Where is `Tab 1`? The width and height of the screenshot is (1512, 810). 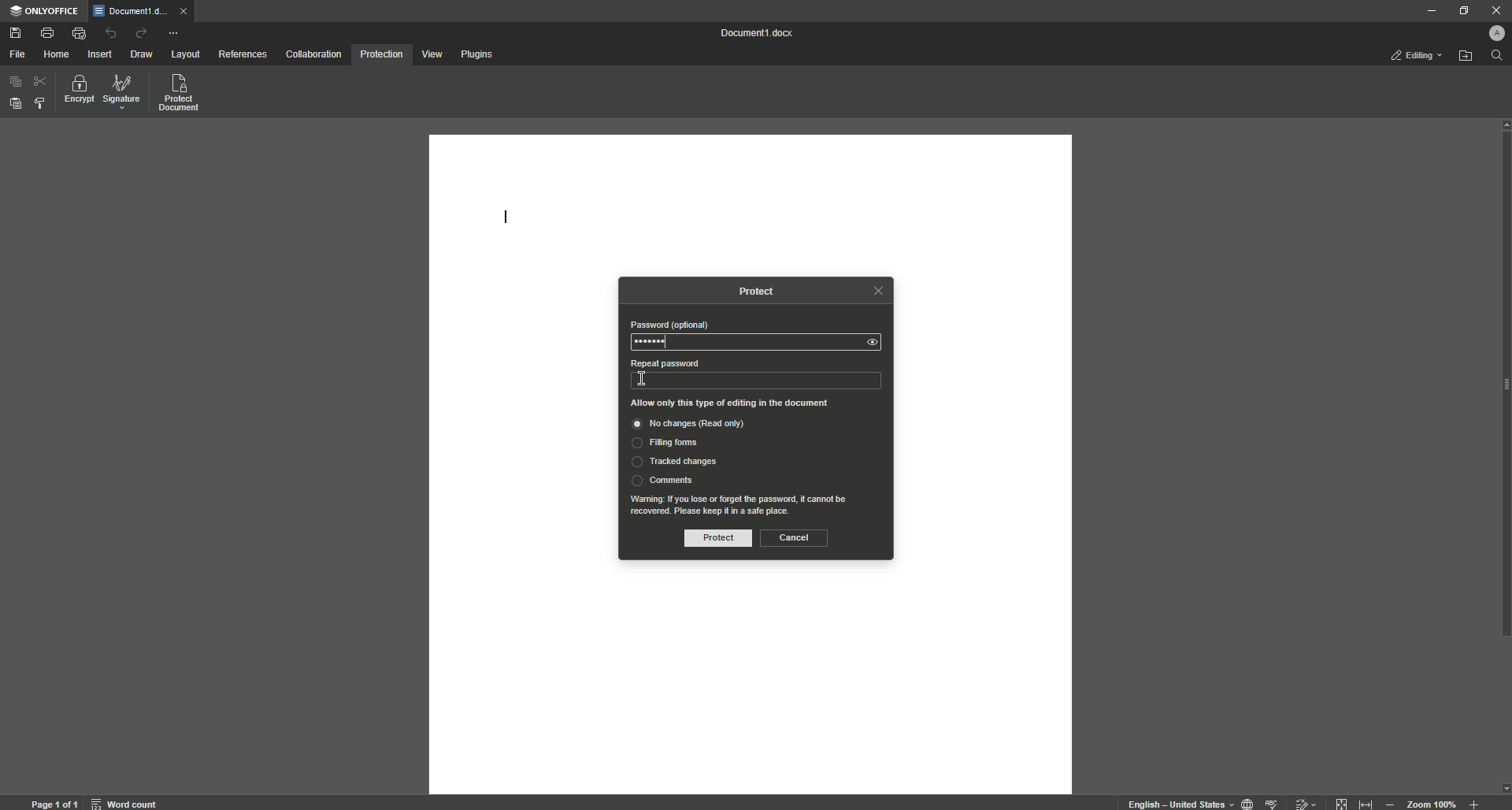 Tab 1 is located at coordinates (132, 12).